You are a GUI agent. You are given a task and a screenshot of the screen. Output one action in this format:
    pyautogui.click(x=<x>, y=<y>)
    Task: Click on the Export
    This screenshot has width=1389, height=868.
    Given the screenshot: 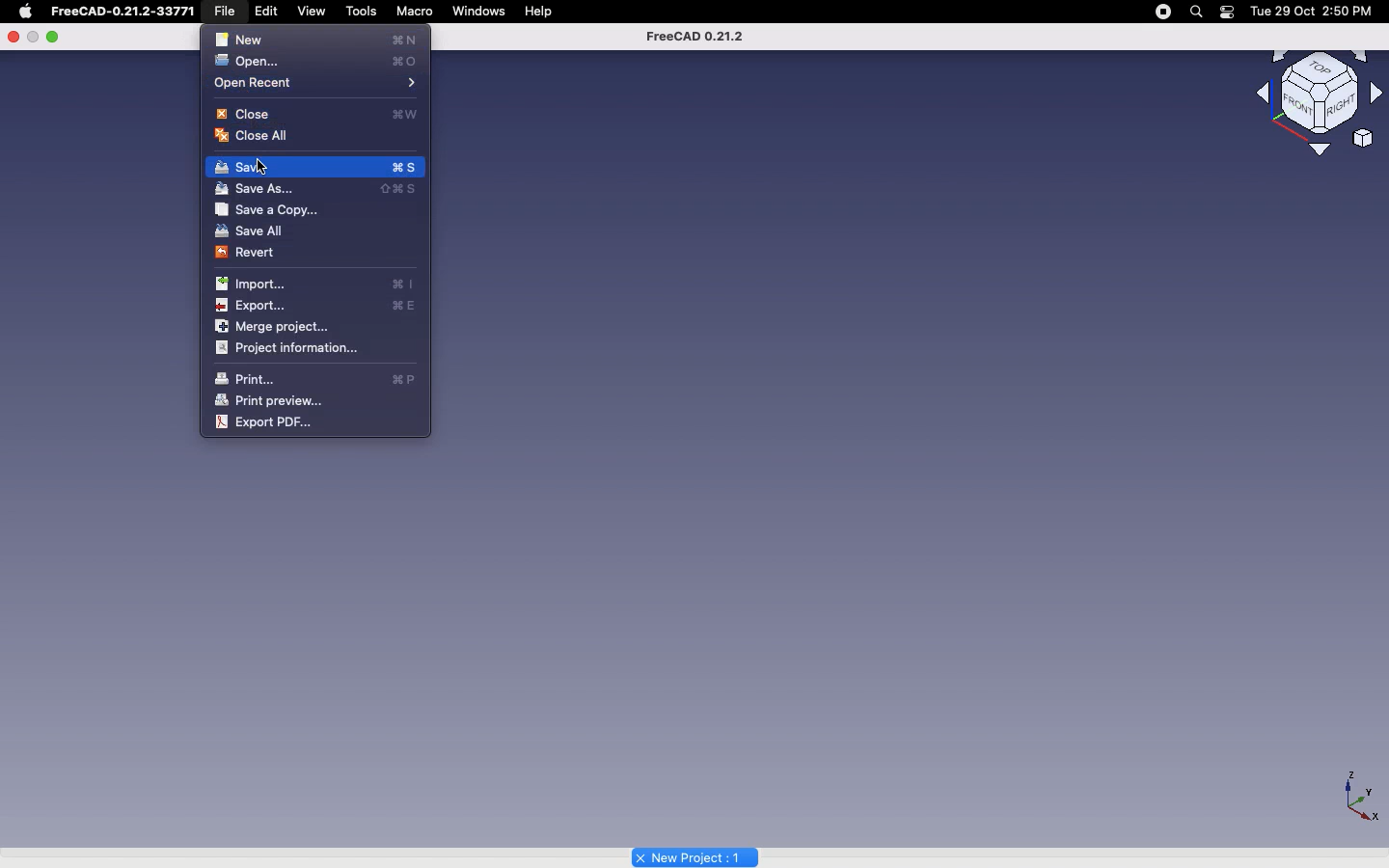 What is the action you would take?
    pyautogui.click(x=317, y=305)
    